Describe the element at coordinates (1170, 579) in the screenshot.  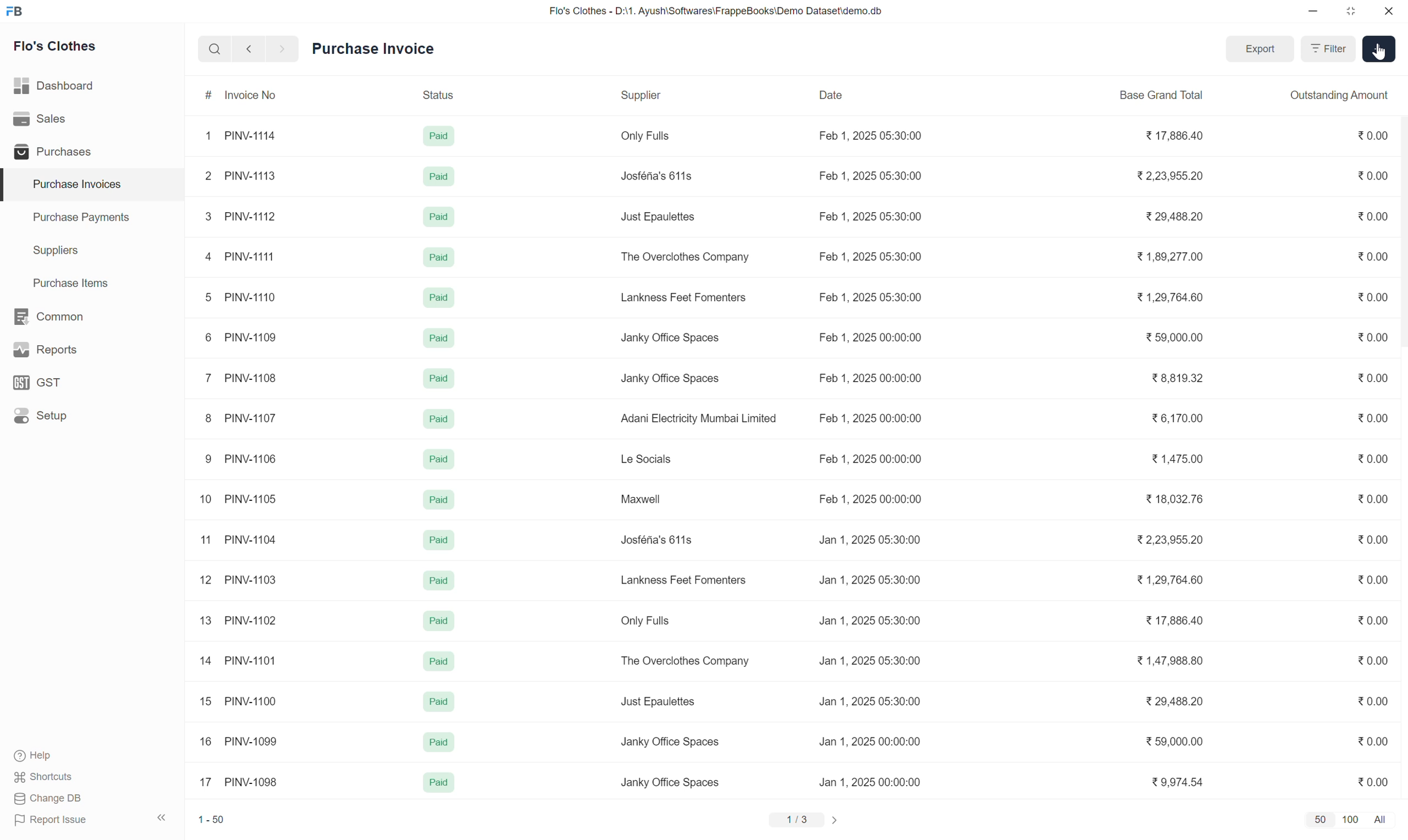
I see `1,29,764.60` at that location.